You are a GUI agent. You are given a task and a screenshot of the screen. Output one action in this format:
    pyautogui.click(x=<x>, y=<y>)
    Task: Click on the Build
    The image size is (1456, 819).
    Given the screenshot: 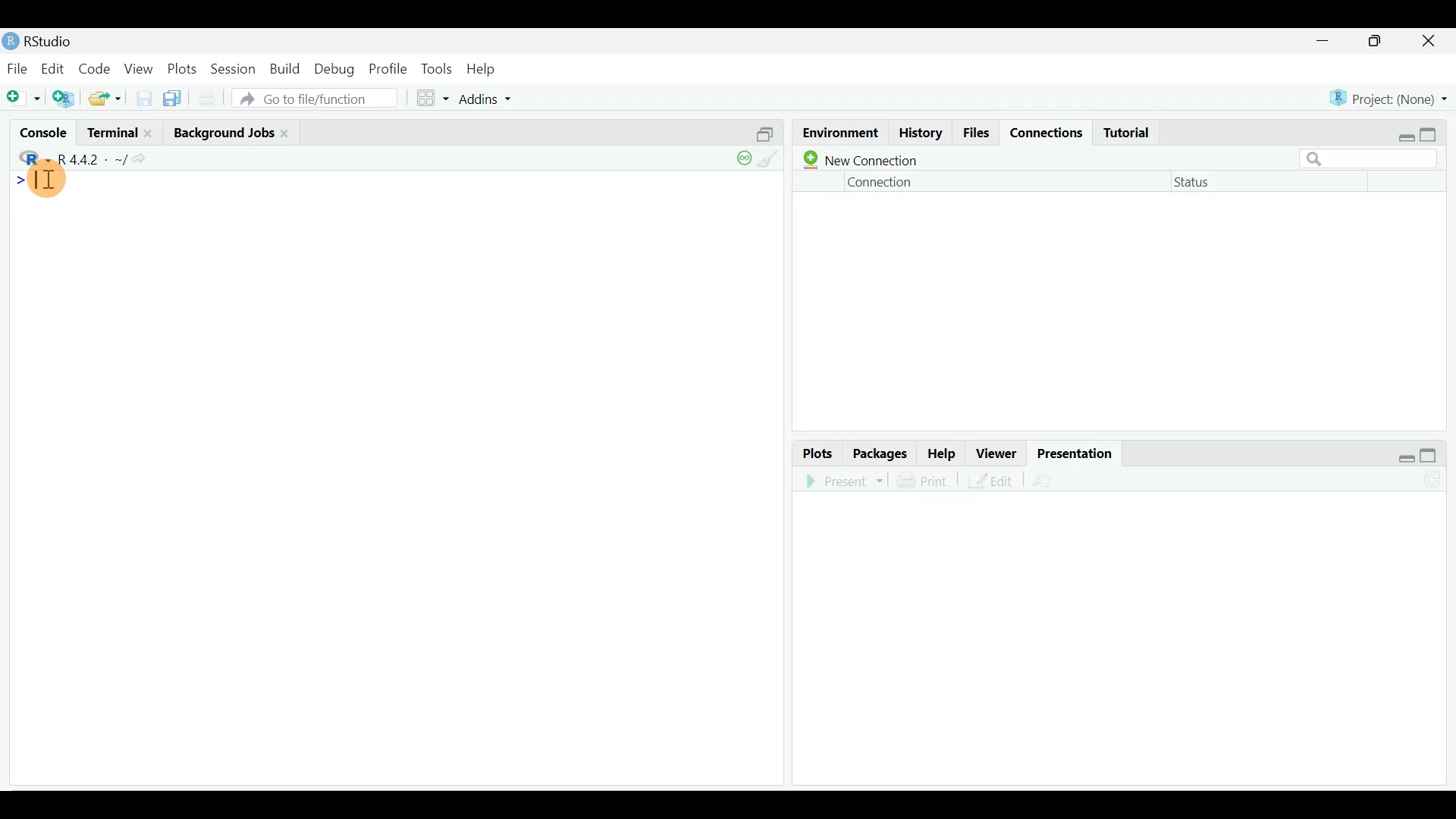 What is the action you would take?
    pyautogui.click(x=286, y=69)
    